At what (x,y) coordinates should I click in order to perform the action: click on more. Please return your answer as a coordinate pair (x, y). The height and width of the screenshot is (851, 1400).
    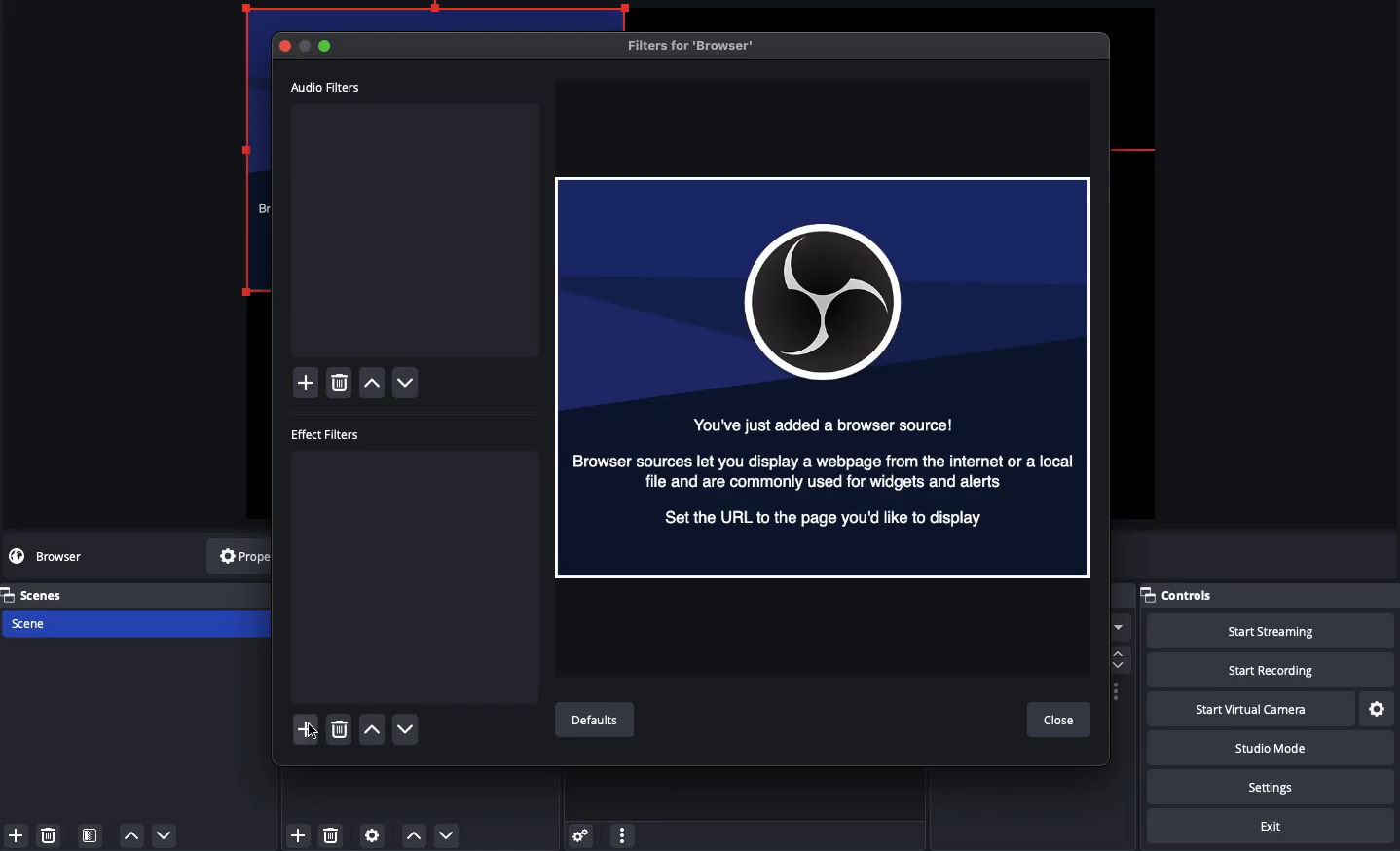
    Looking at the image, I should click on (623, 836).